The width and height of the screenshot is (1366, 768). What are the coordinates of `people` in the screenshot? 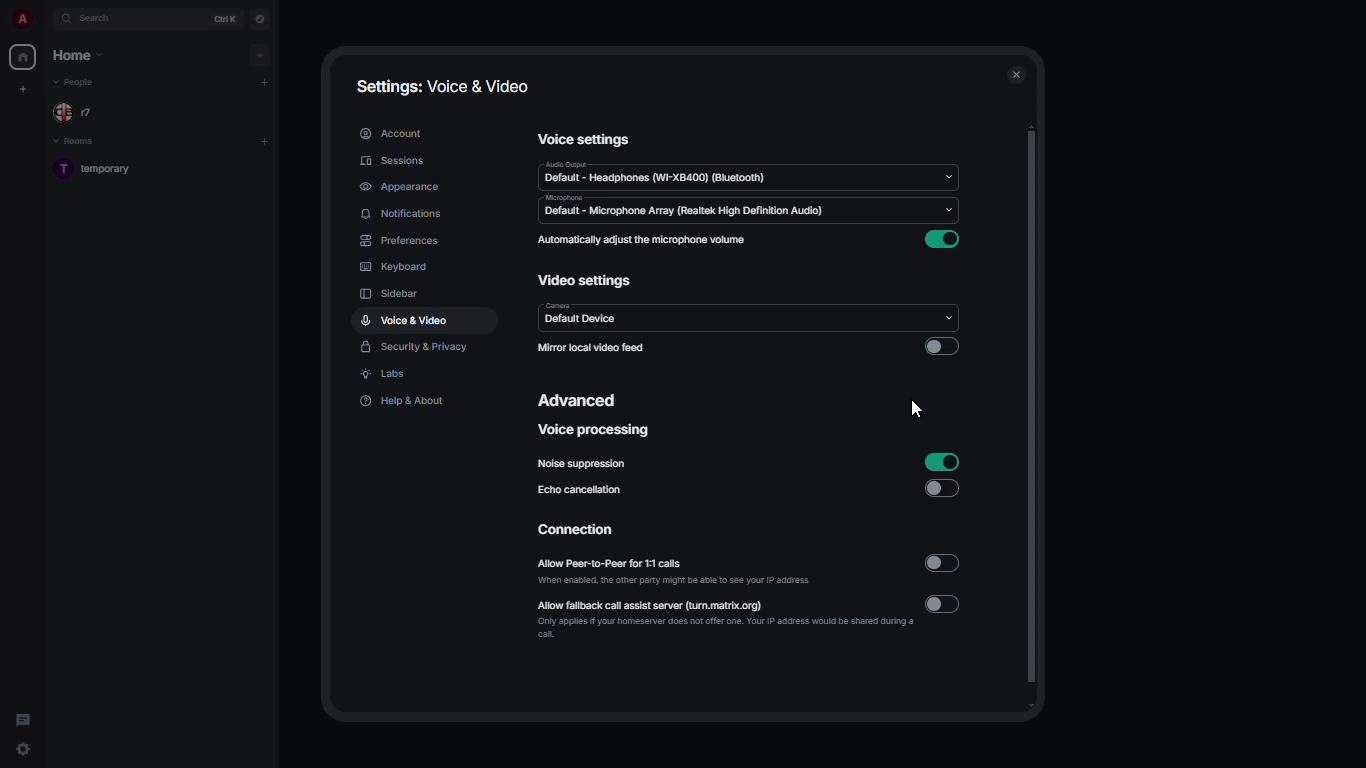 It's located at (77, 83).